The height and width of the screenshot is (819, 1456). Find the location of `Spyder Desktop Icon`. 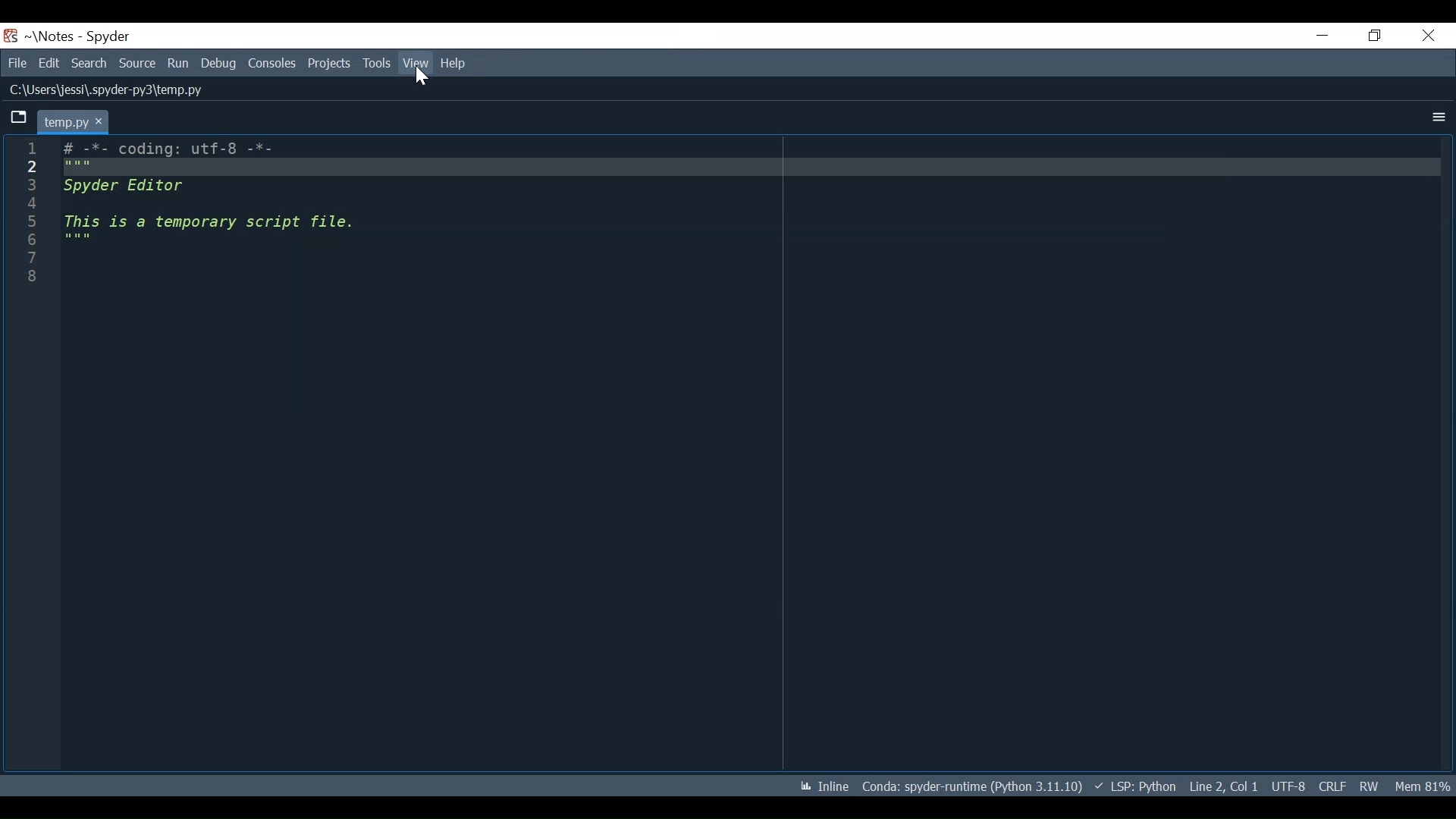

Spyder Desktop Icon is located at coordinates (11, 36).